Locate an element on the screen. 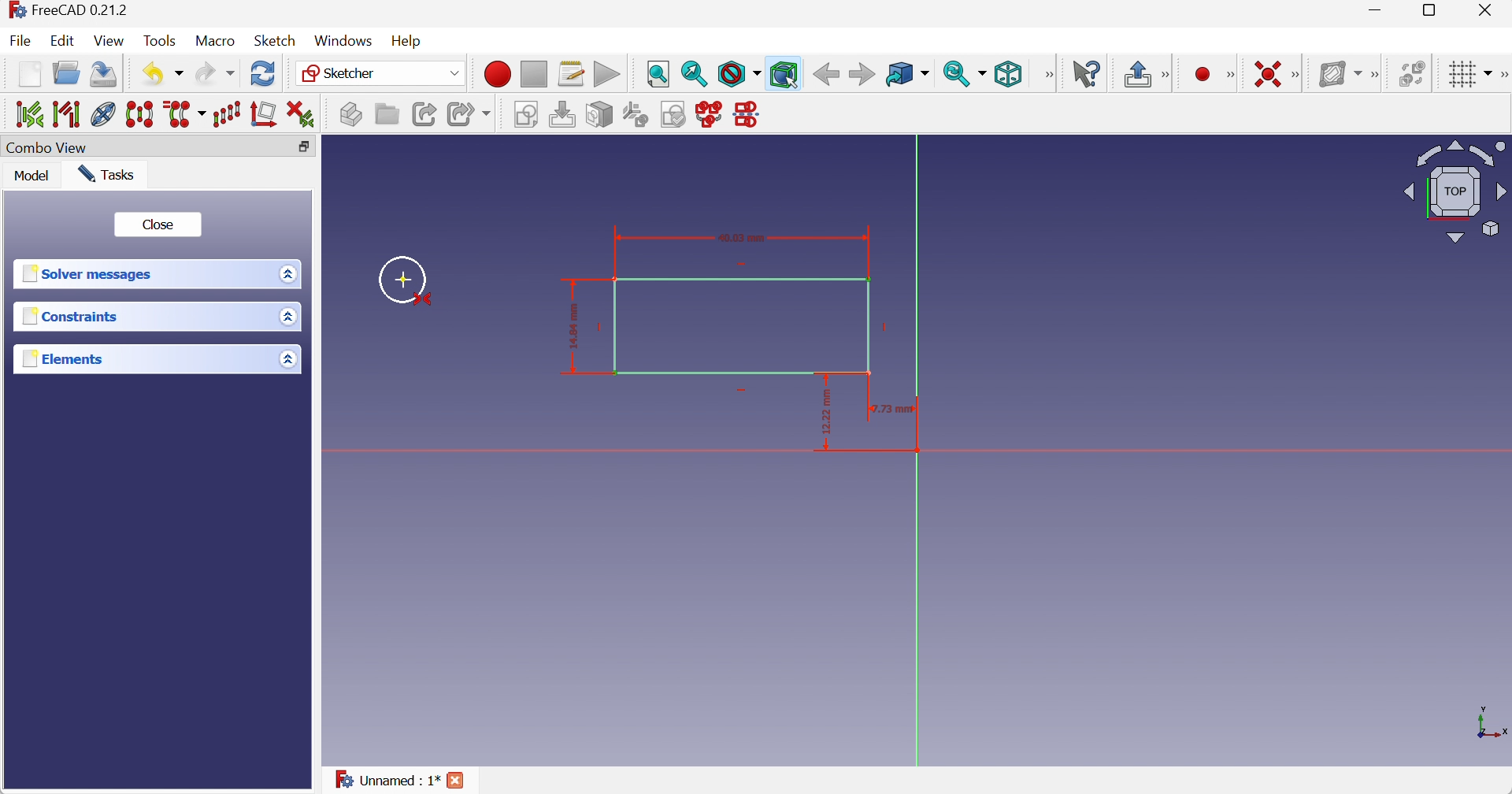  New is located at coordinates (30, 76).